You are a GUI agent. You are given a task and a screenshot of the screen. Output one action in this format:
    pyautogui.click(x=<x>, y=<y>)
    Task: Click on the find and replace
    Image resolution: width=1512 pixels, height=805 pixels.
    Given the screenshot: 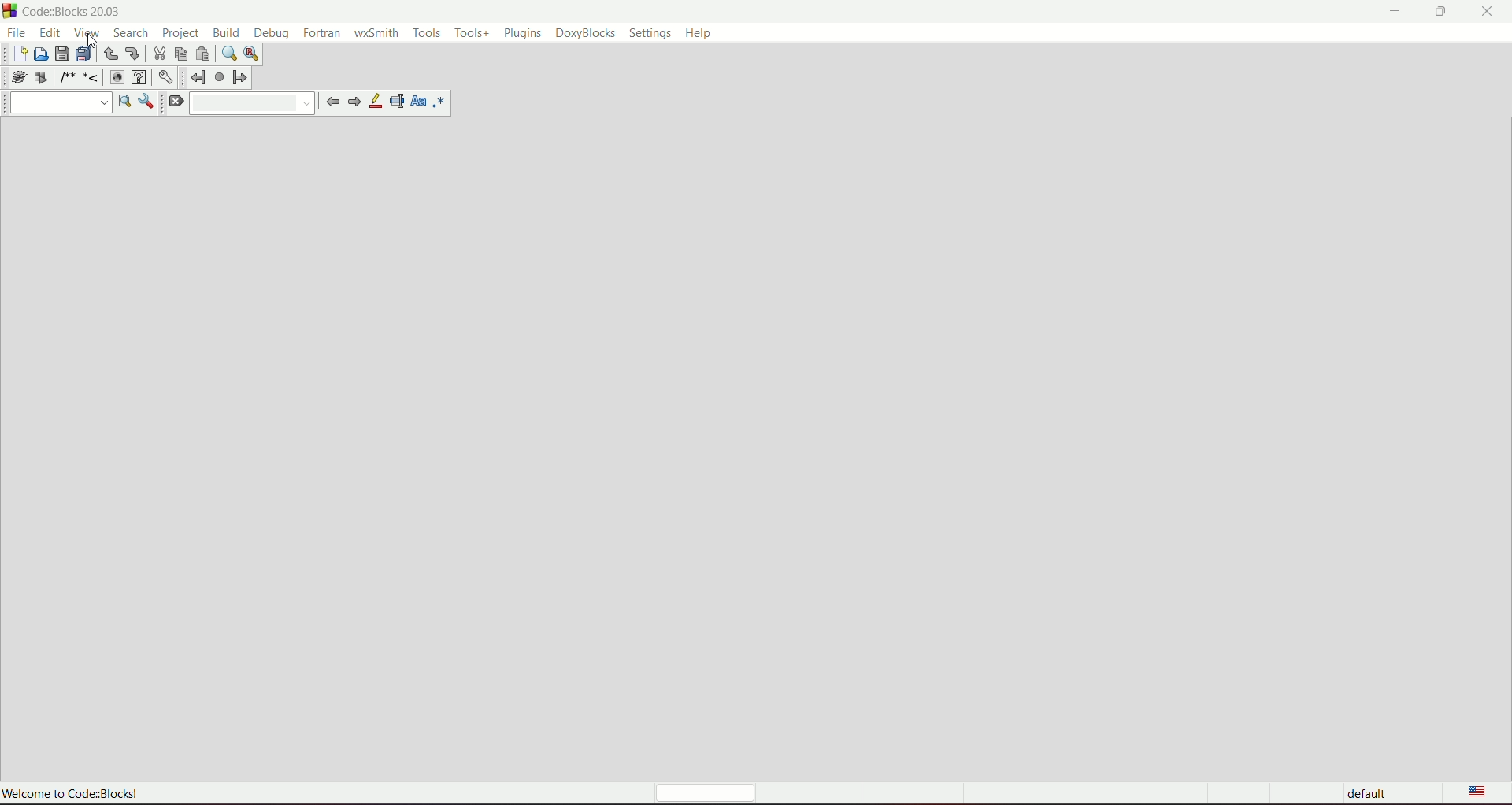 What is the action you would take?
    pyautogui.click(x=254, y=54)
    